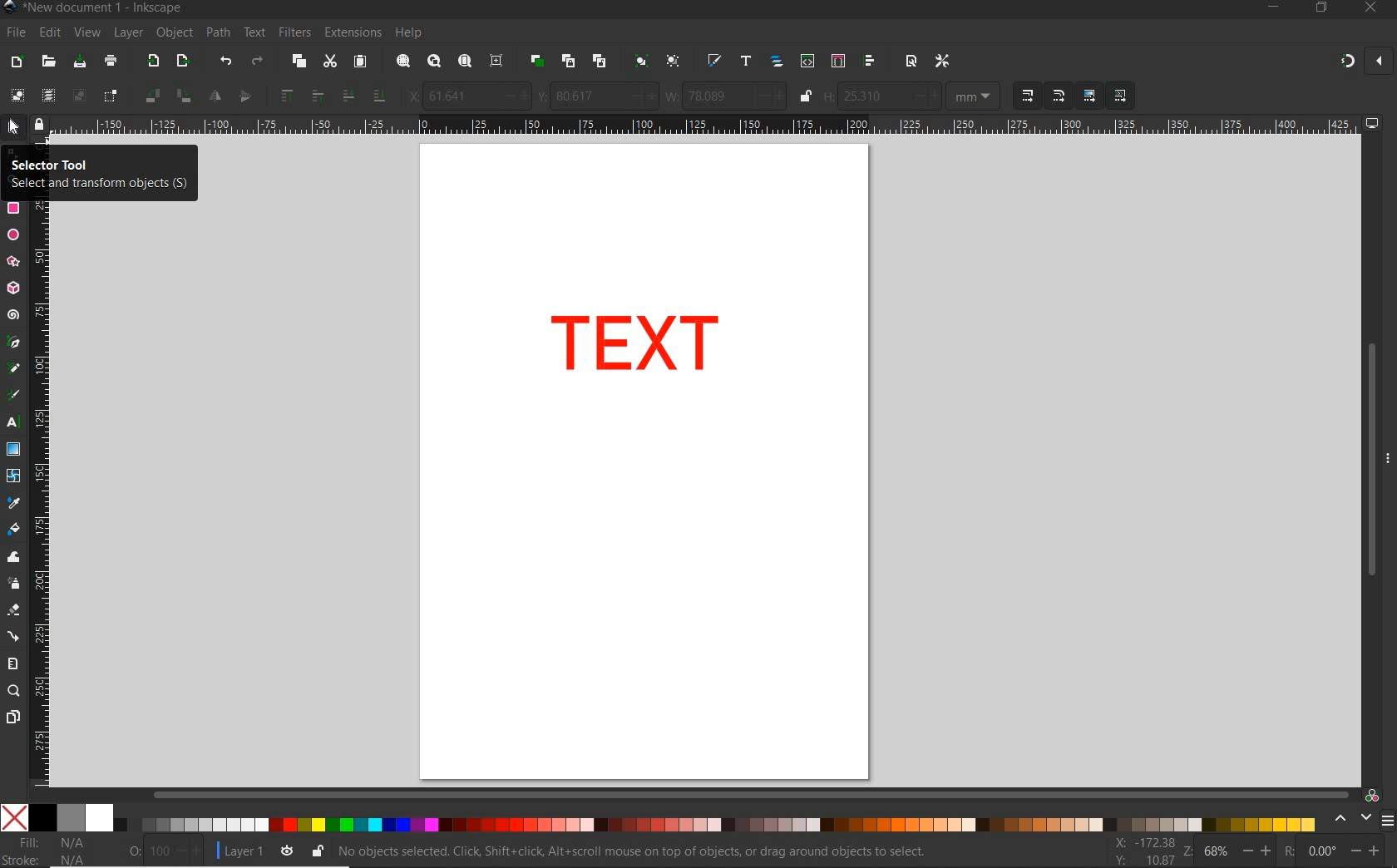  Describe the element at coordinates (1372, 795) in the screenshot. I see `color managed code` at that location.